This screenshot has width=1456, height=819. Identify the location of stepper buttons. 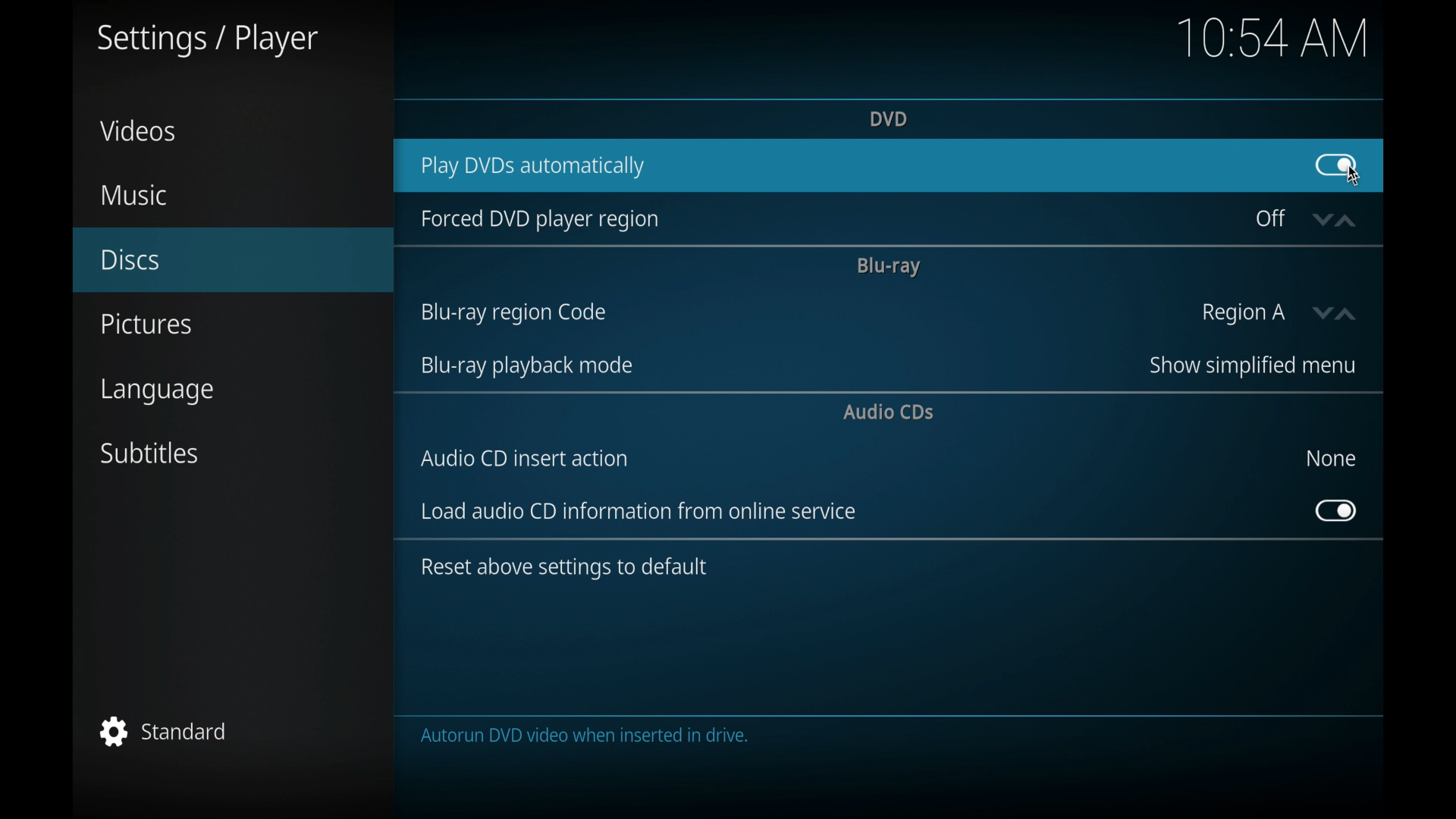
(1337, 314).